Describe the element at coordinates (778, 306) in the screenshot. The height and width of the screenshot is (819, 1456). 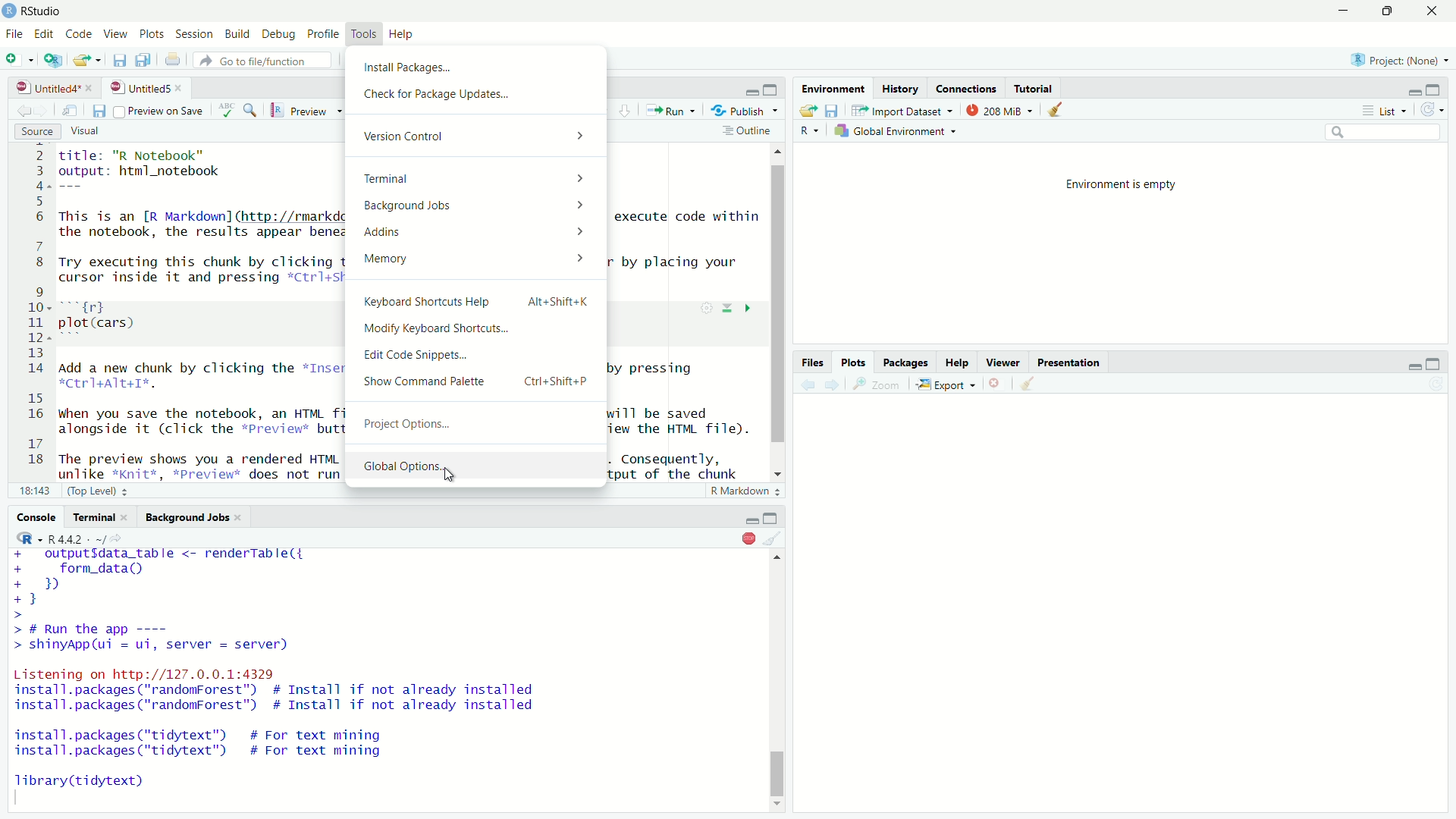
I see `vertical scrollbar` at that location.